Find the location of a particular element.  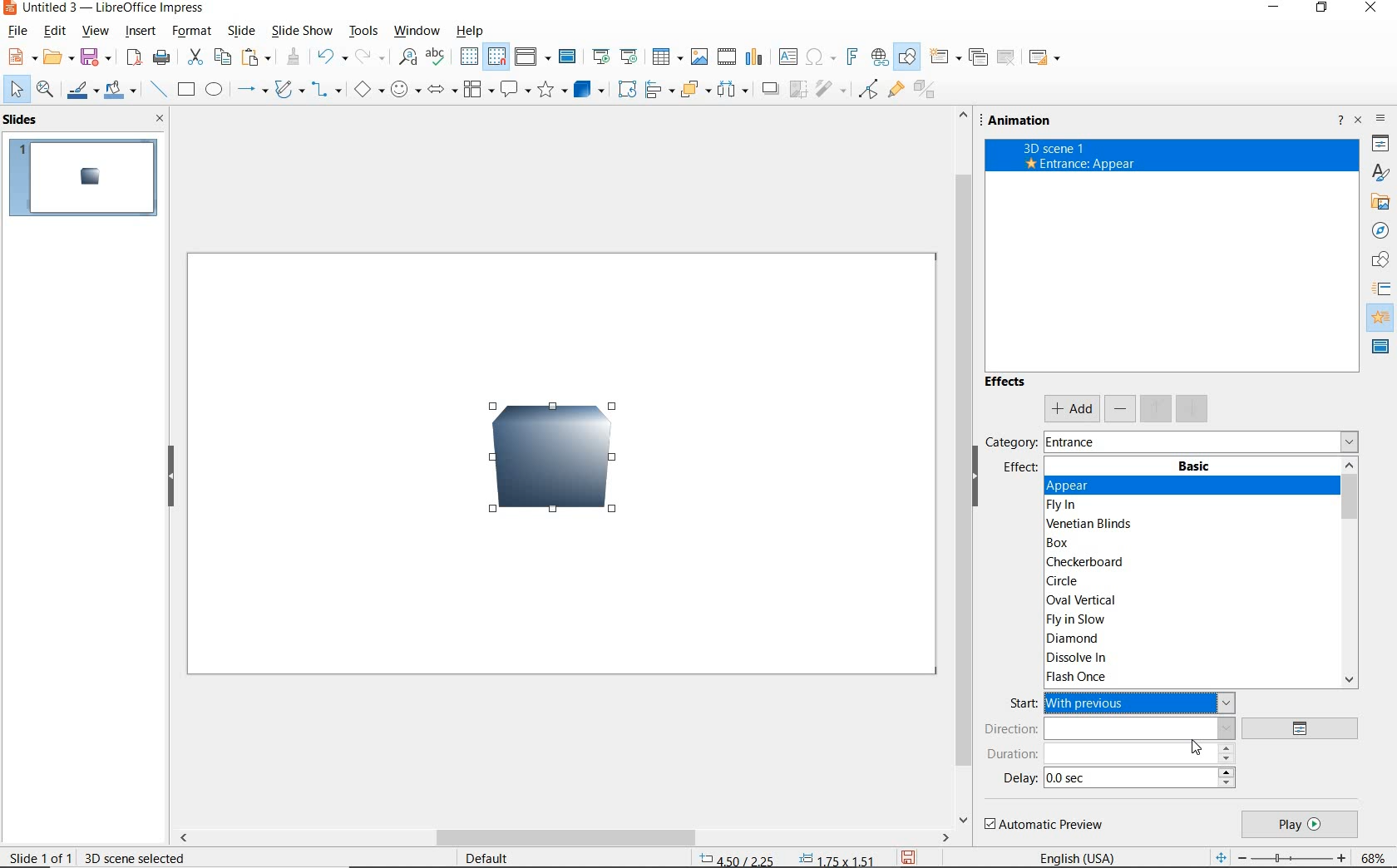

CIRCLE is located at coordinates (1065, 580).